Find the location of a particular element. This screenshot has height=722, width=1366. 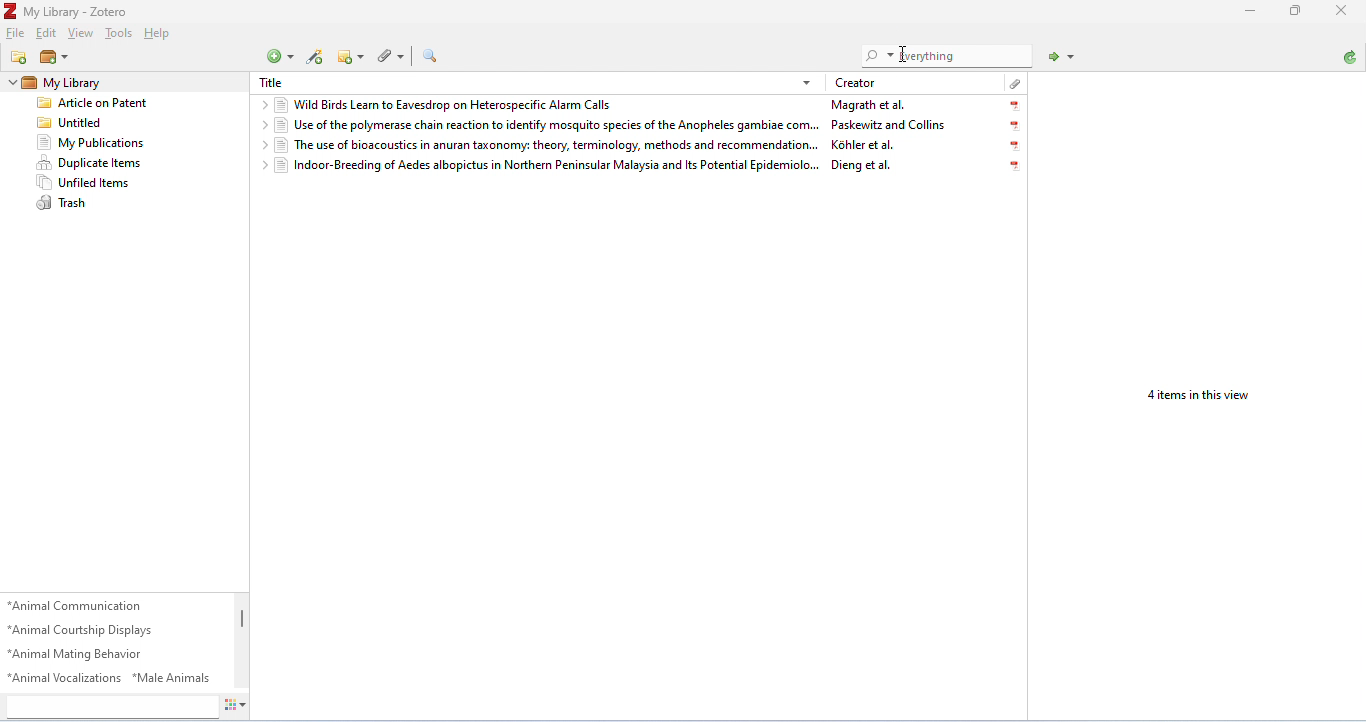

Indoor-Breeding of Aedes albopictus in Northern Peninsular Malaysia and Its Potential Epidemiolo... Dieng et al. is located at coordinates (639, 167).